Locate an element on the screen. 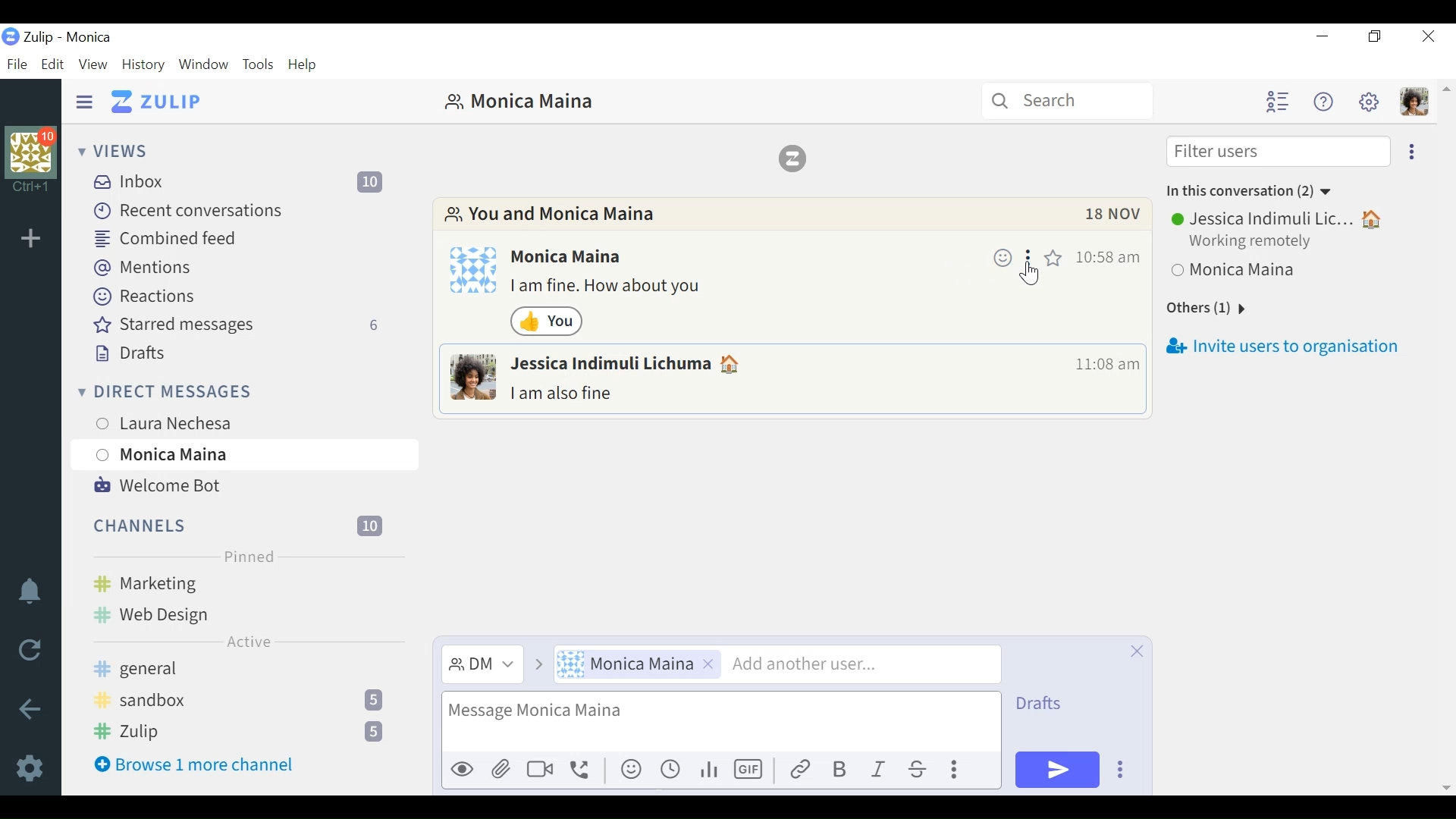 The height and width of the screenshot is (819, 1456). Laura Nechesa is located at coordinates (207, 420).